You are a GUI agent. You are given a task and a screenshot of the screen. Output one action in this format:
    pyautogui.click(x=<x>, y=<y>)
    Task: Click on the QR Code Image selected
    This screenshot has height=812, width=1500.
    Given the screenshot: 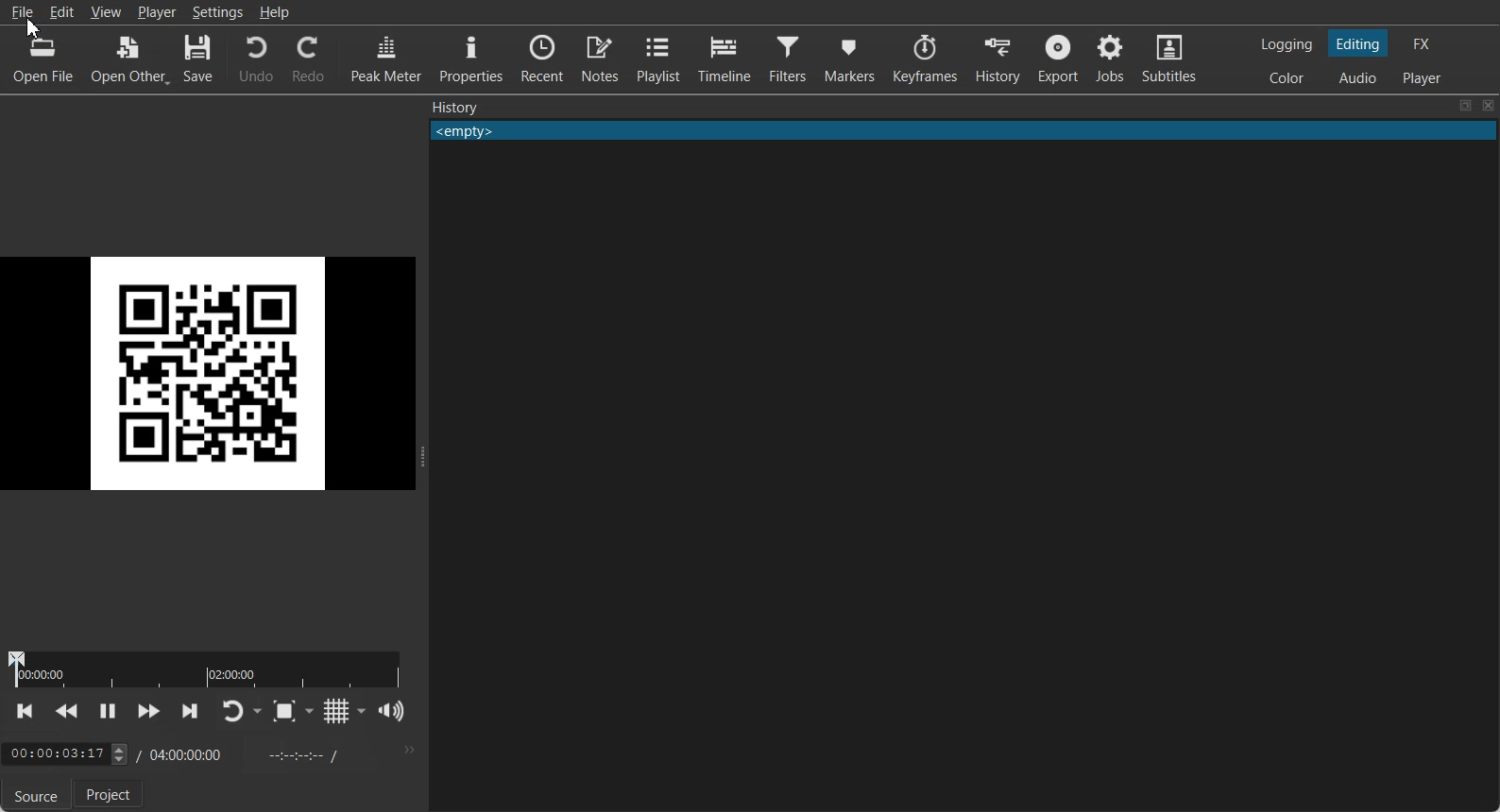 What is the action you would take?
    pyautogui.click(x=207, y=374)
    